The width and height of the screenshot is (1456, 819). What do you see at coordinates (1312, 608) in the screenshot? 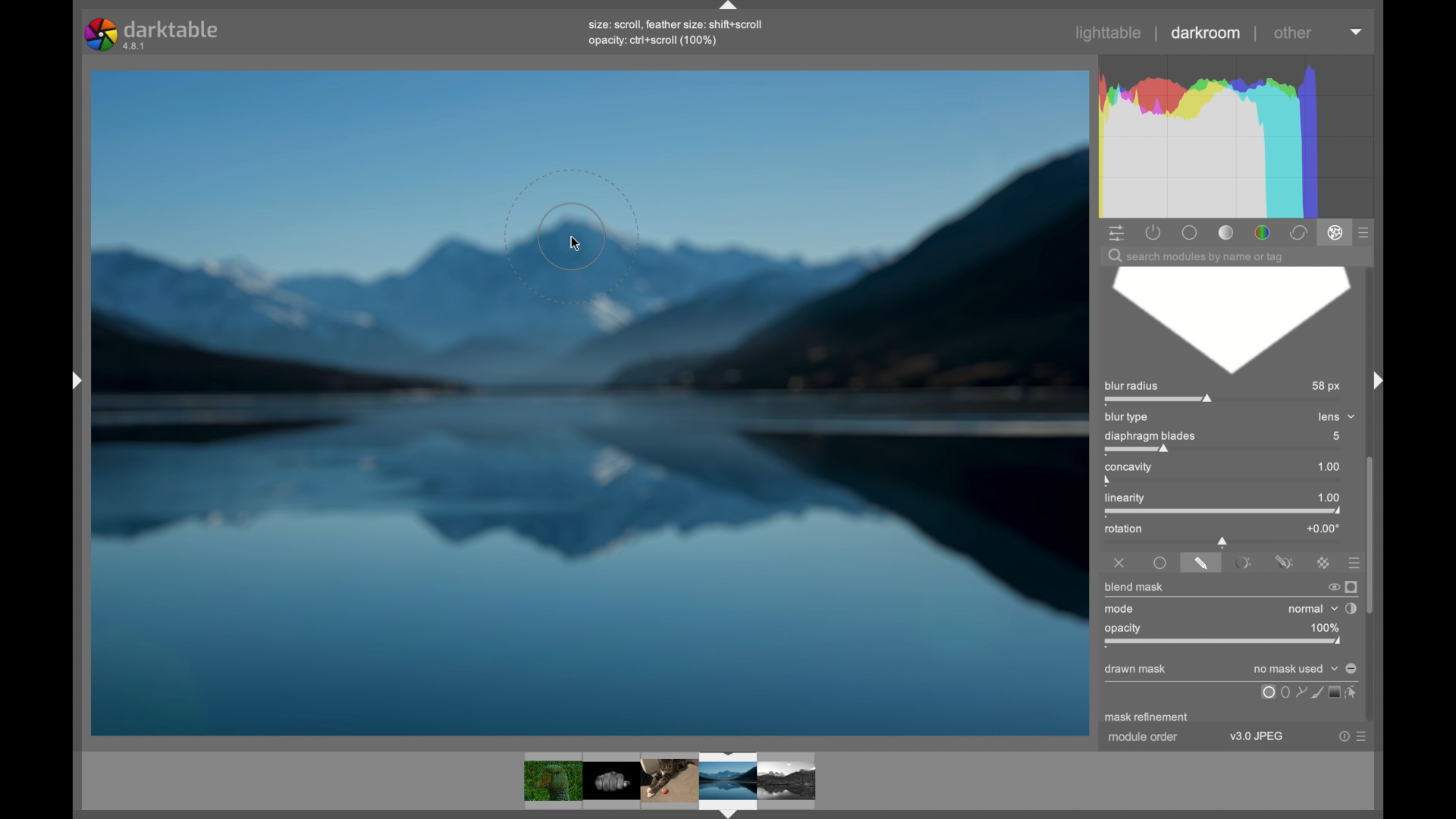
I see `normal dropdown` at bounding box center [1312, 608].